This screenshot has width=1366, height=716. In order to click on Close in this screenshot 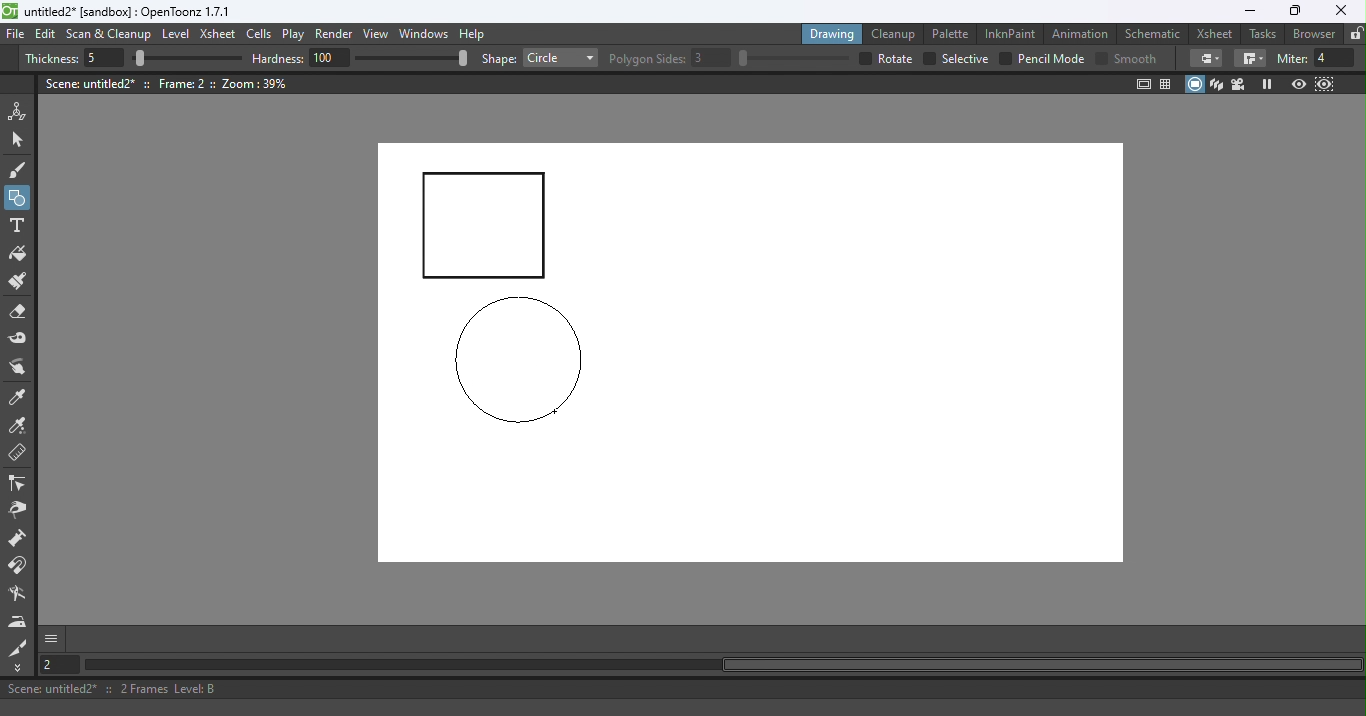, I will do `click(1340, 11)`.